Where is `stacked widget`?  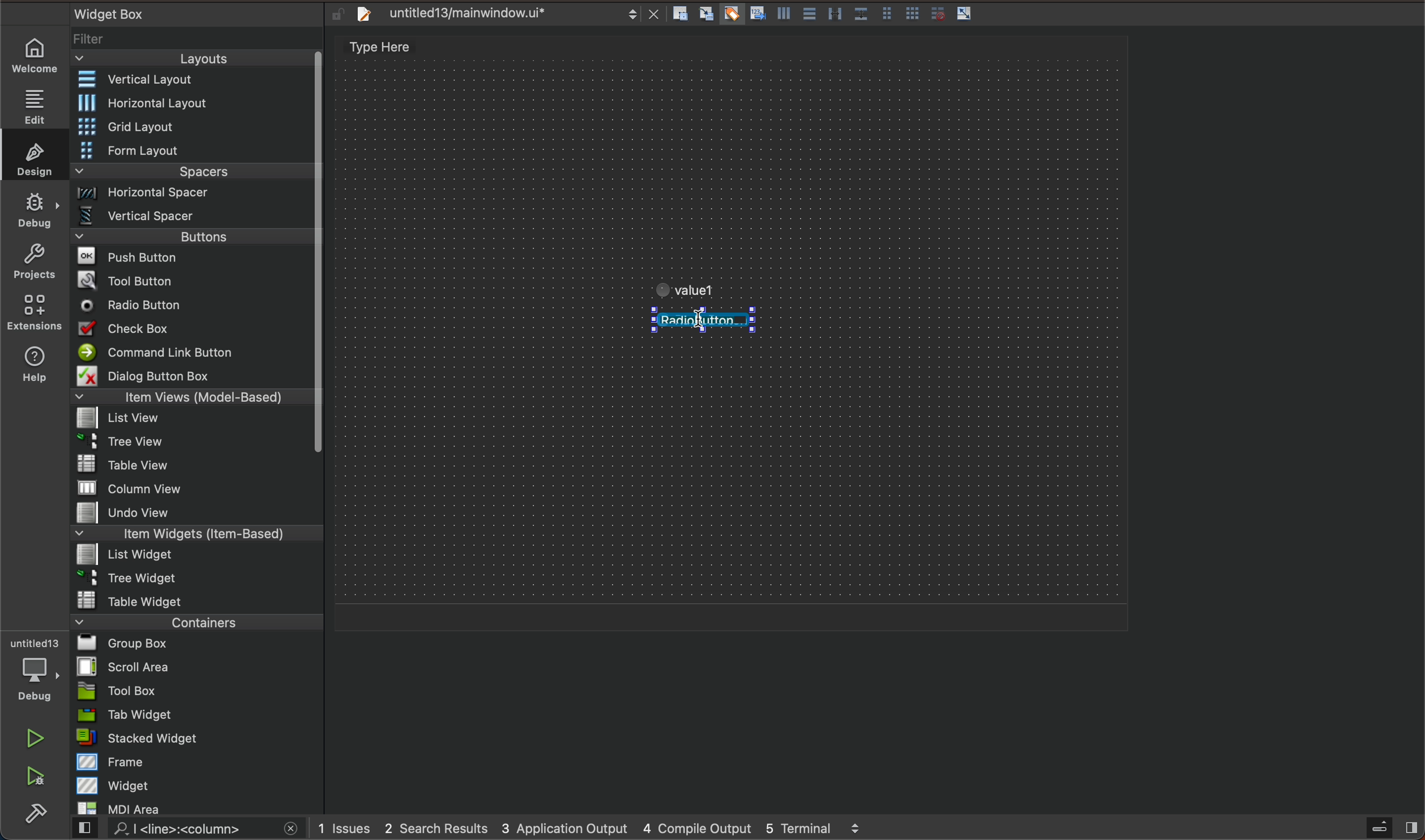
stacked widget is located at coordinates (198, 738).